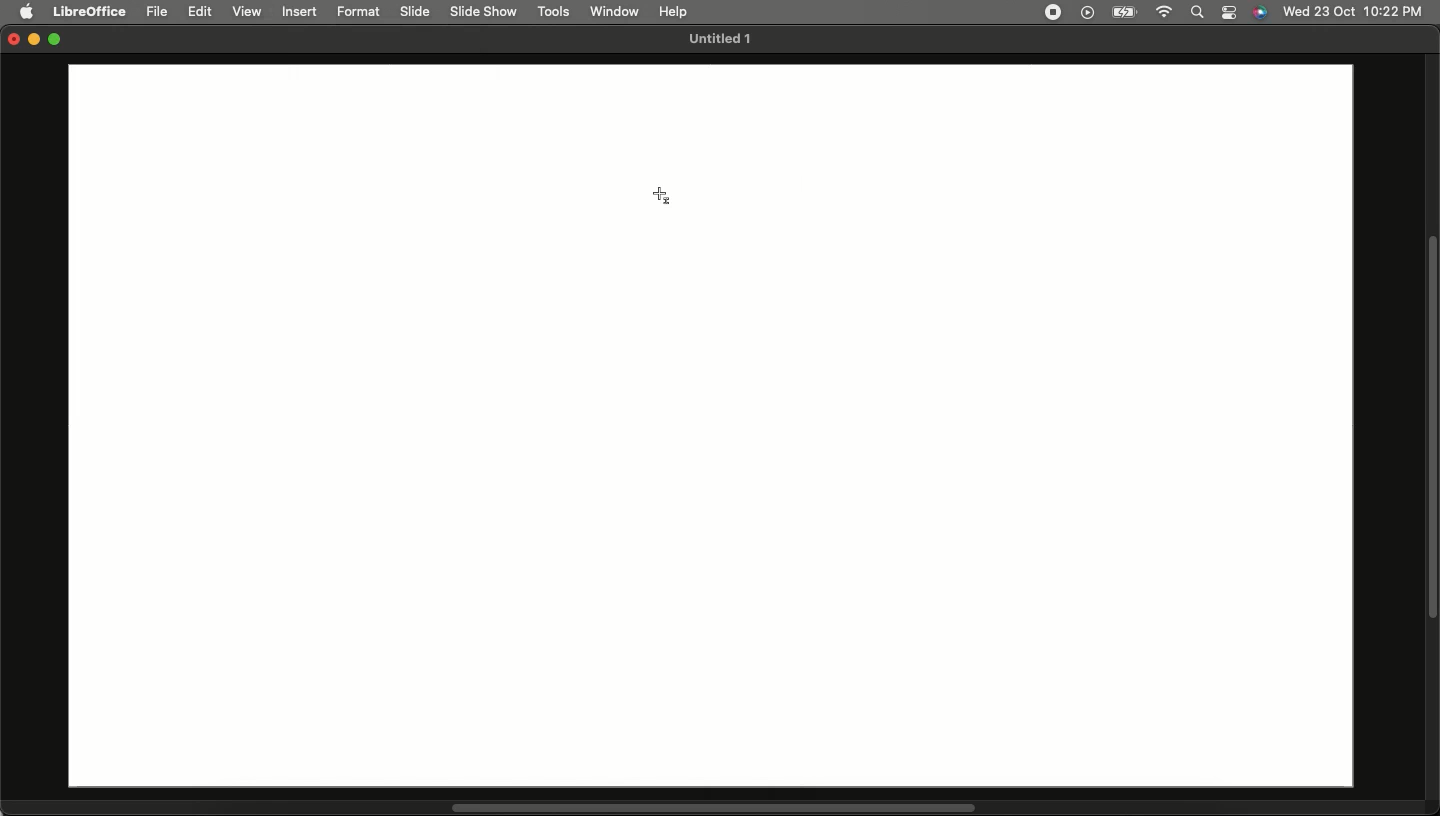  Describe the element at coordinates (90, 9) in the screenshot. I see `LibreOffice` at that location.